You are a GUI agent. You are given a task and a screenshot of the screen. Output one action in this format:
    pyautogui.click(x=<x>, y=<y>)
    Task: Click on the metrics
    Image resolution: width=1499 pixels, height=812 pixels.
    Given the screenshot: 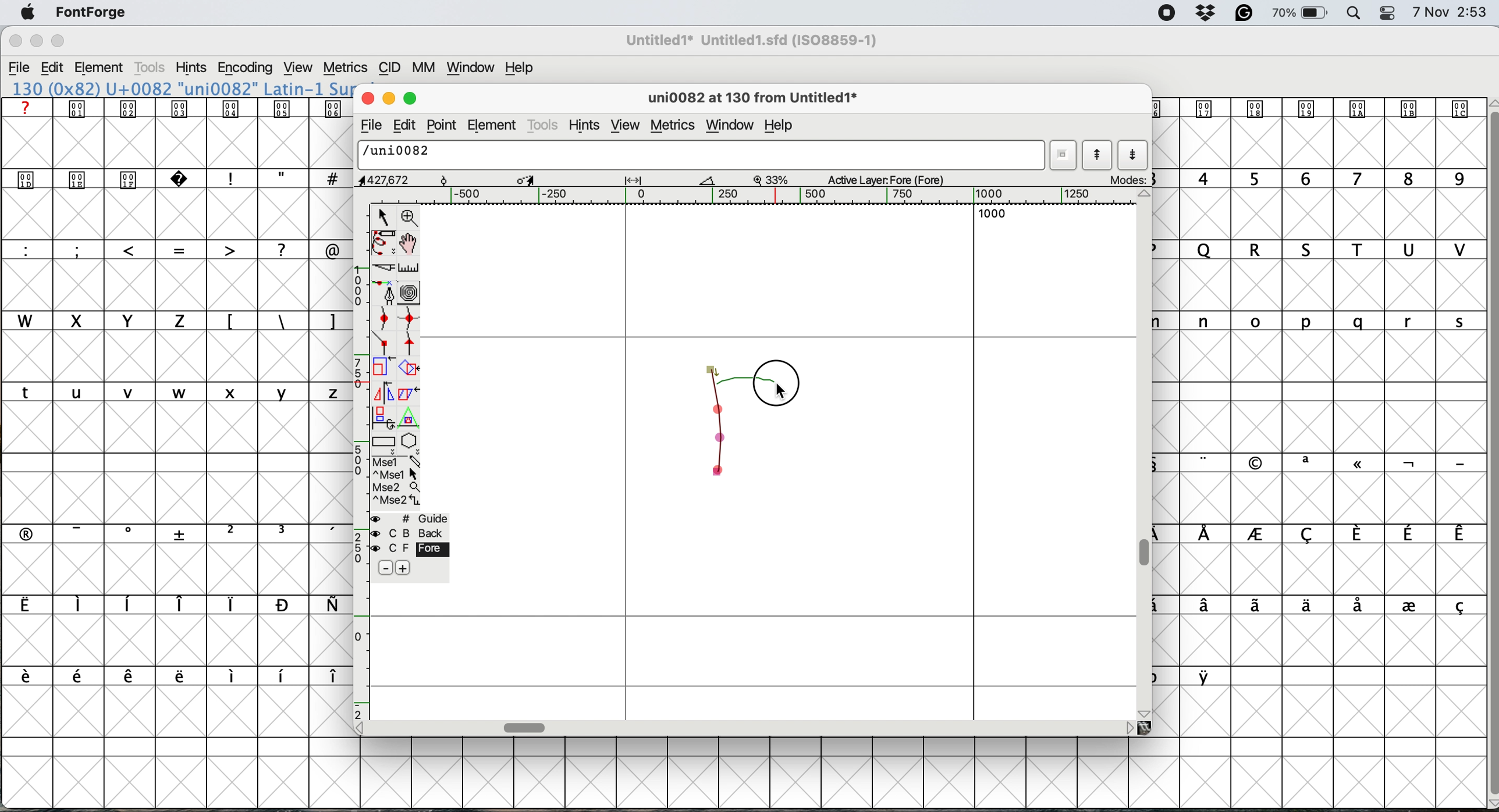 What is the action you would take?
    pyautogui.click(x=347, y=66)
    